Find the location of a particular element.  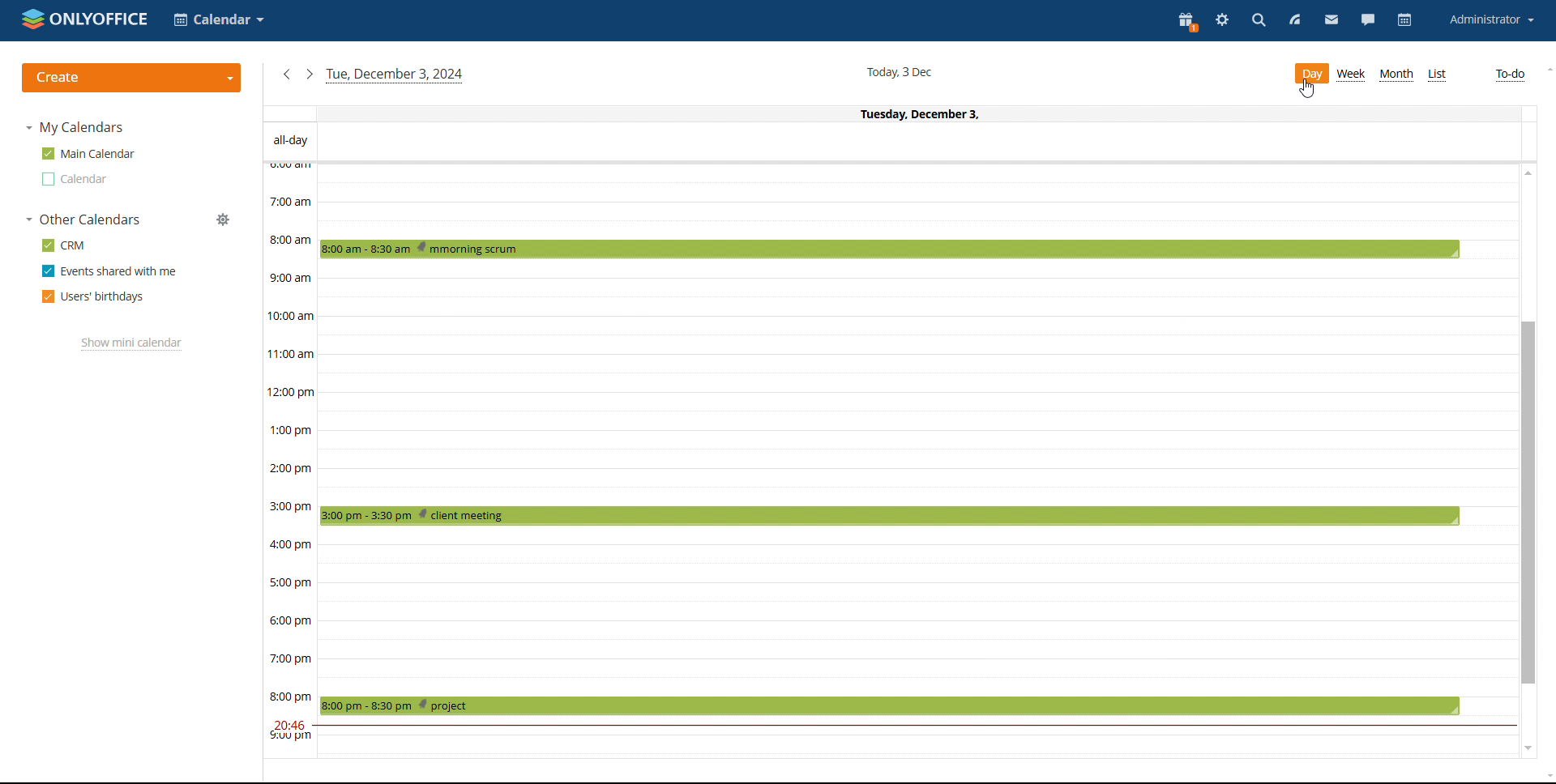

list view is located at coordinates (1438, 75).